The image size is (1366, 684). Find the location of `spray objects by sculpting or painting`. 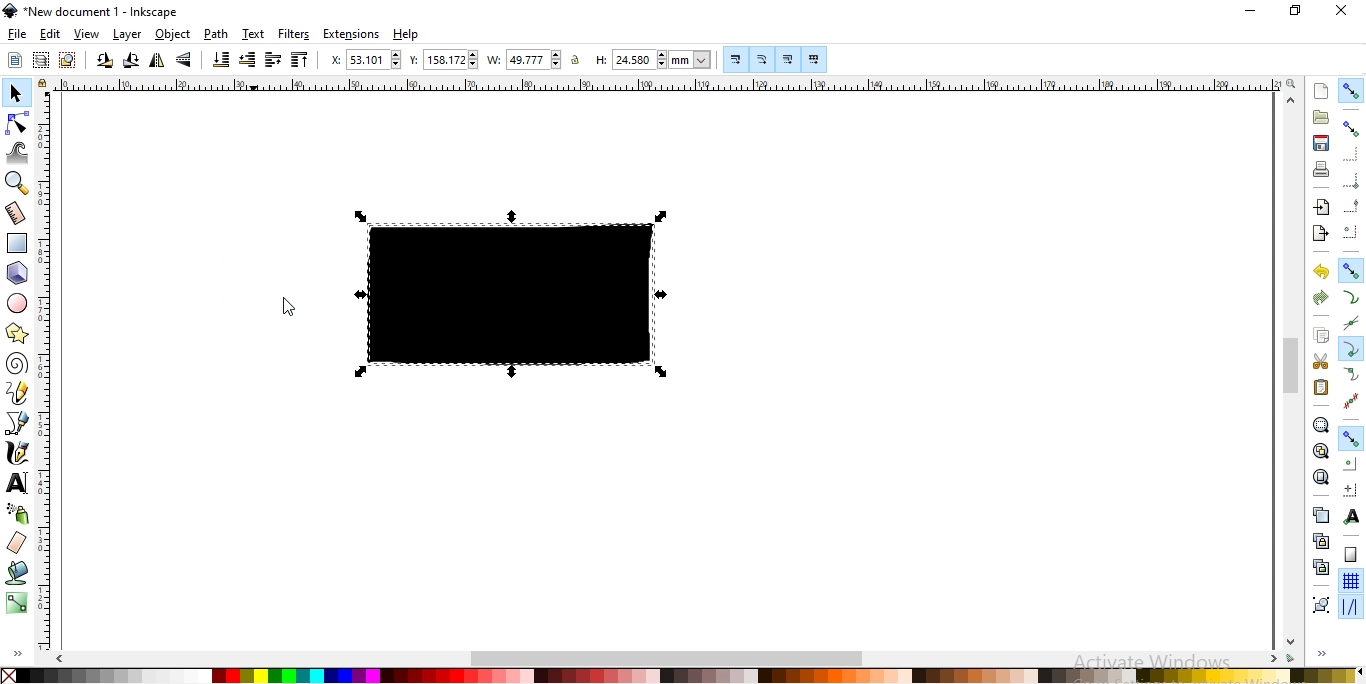

spray objects by sculpting or painting is located at coordinates (17, 513).